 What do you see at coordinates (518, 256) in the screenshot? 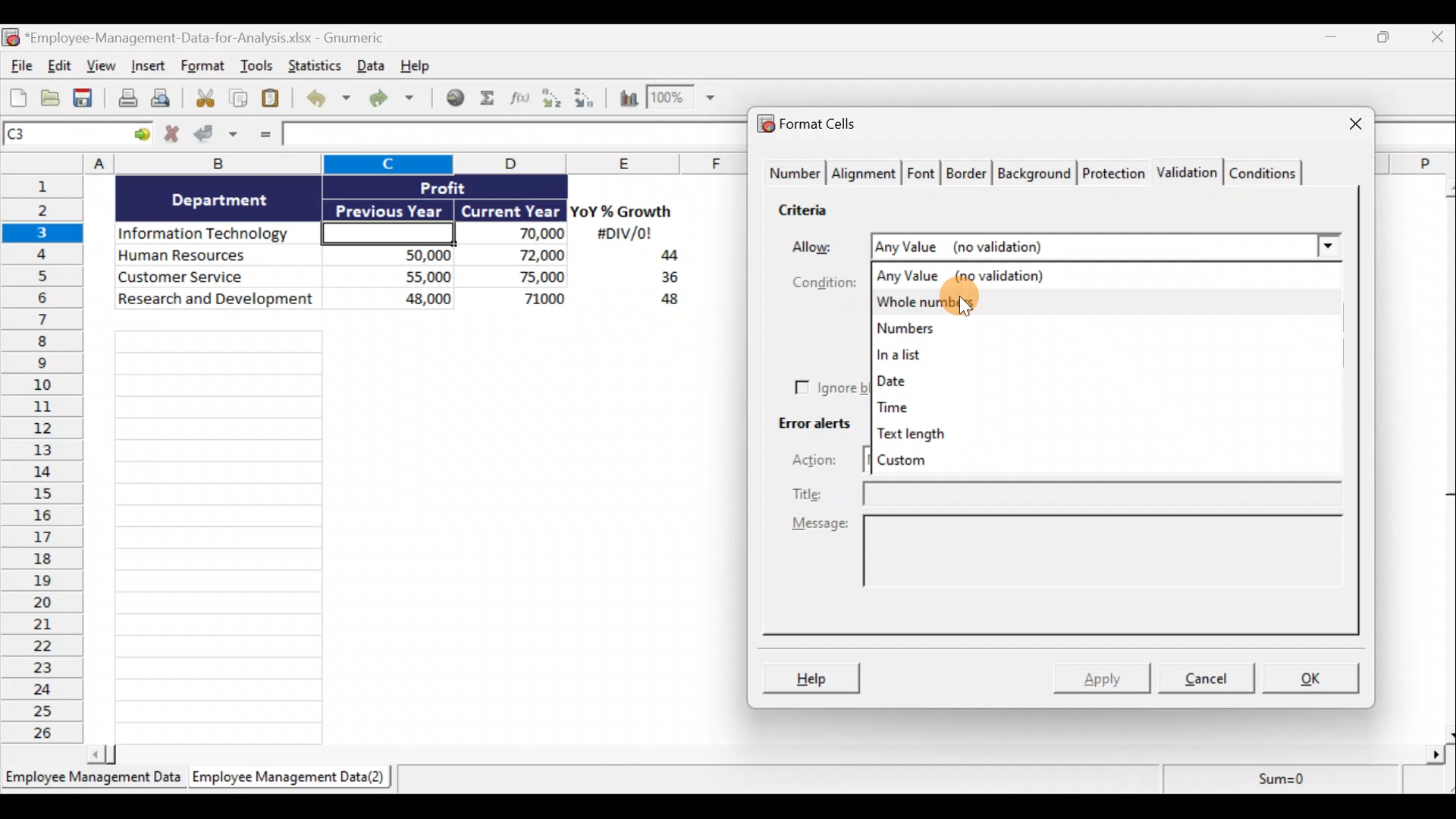
I see `72,000` at bounding box center [518, 256].